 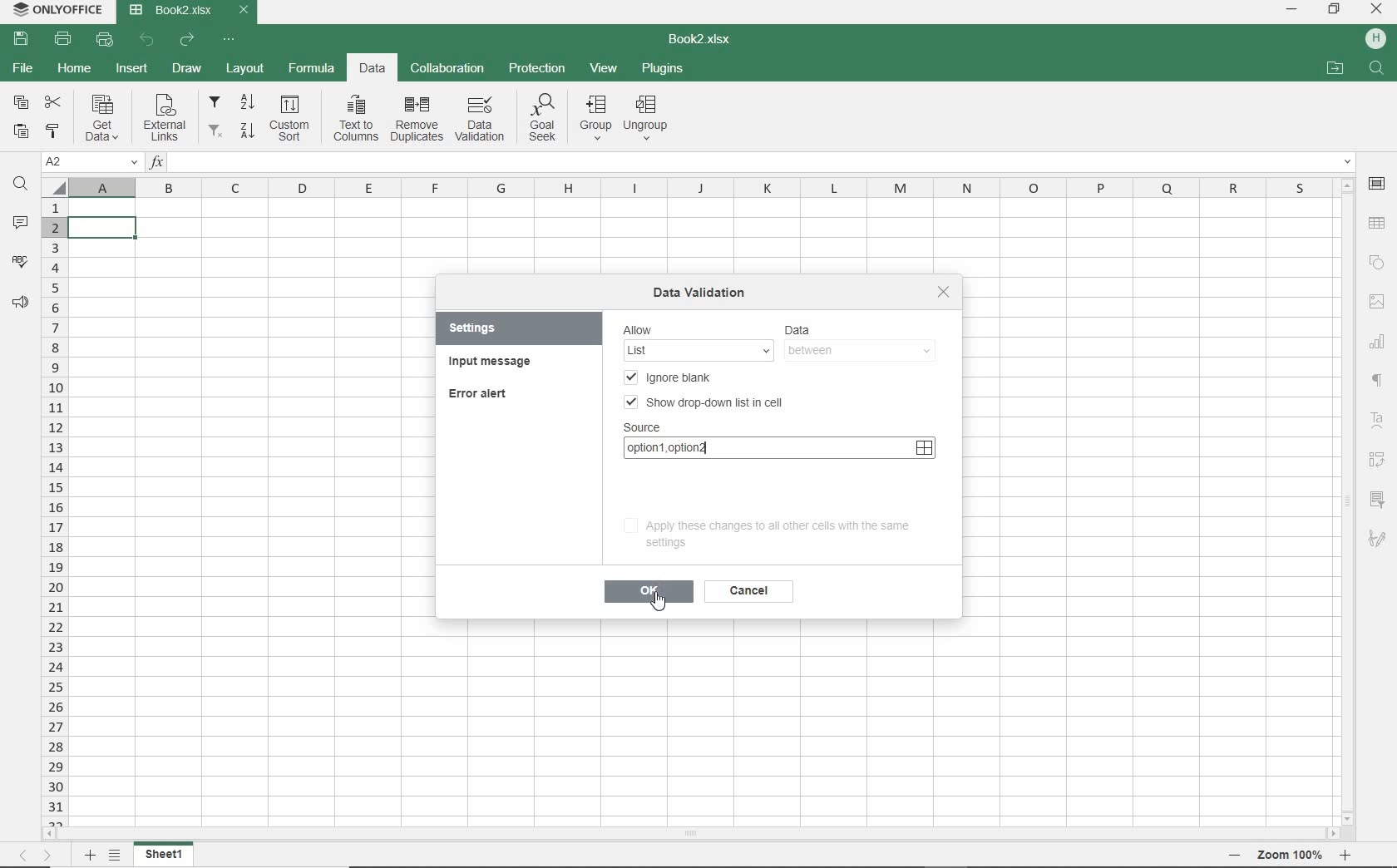 What do you see at coordinates (644, 329) in the screenshot?
I see `allow` at bounding box center [644, 329].